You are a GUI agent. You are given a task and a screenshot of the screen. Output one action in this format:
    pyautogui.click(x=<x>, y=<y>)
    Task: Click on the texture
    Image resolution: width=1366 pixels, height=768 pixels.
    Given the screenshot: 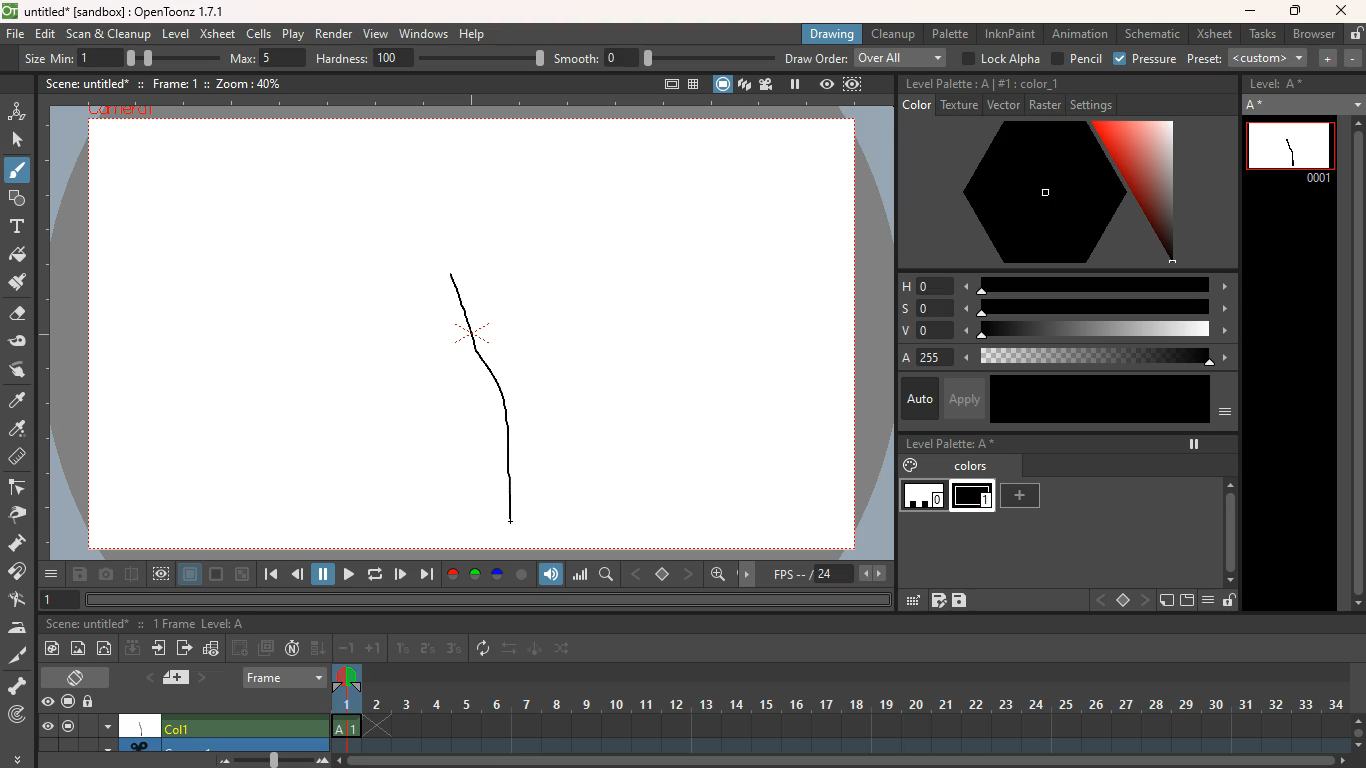 What is the action you would take?
    pyautogui.click(x=959, y=106)
    